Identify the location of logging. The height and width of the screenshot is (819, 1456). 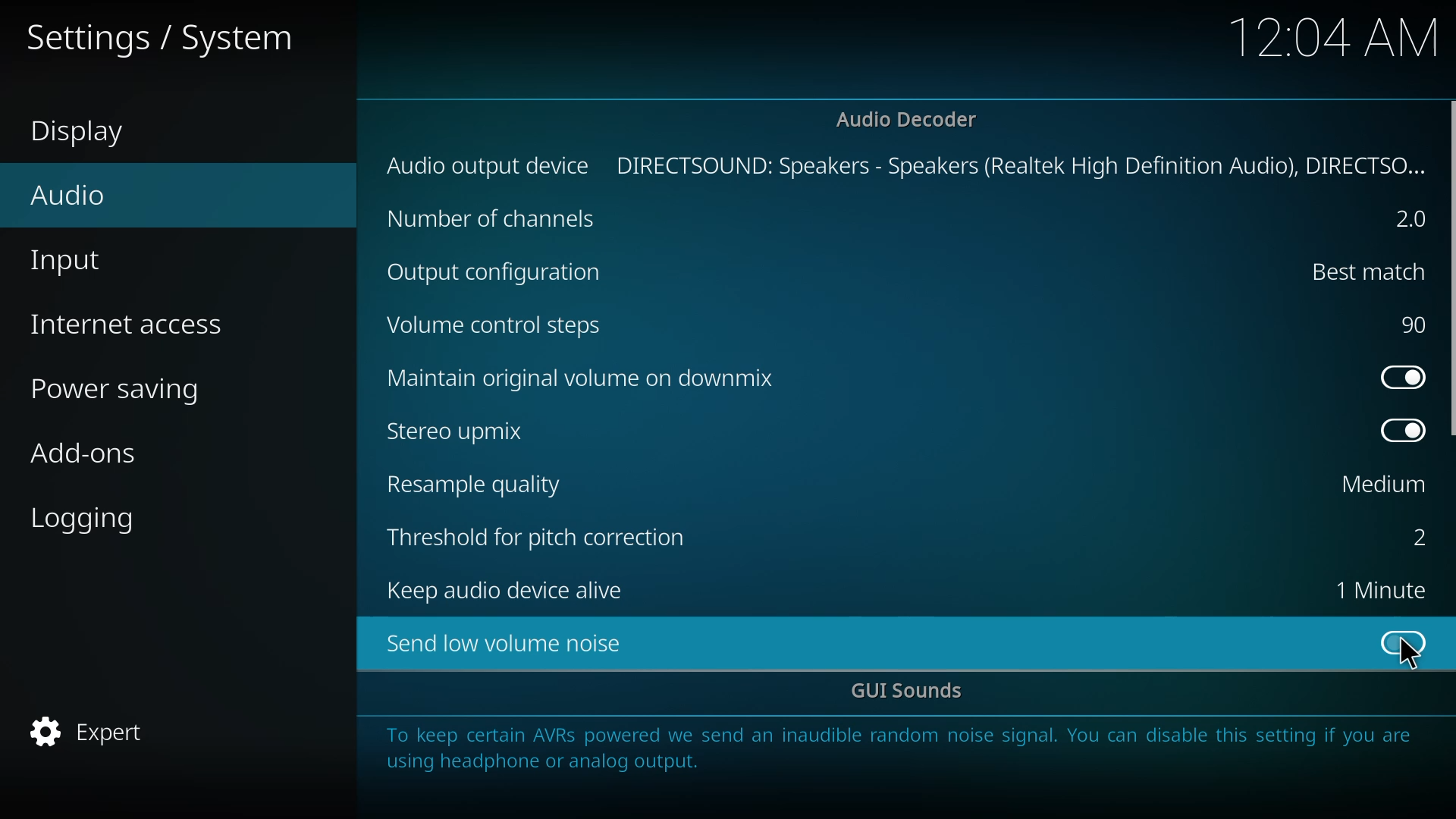
(96, 519).